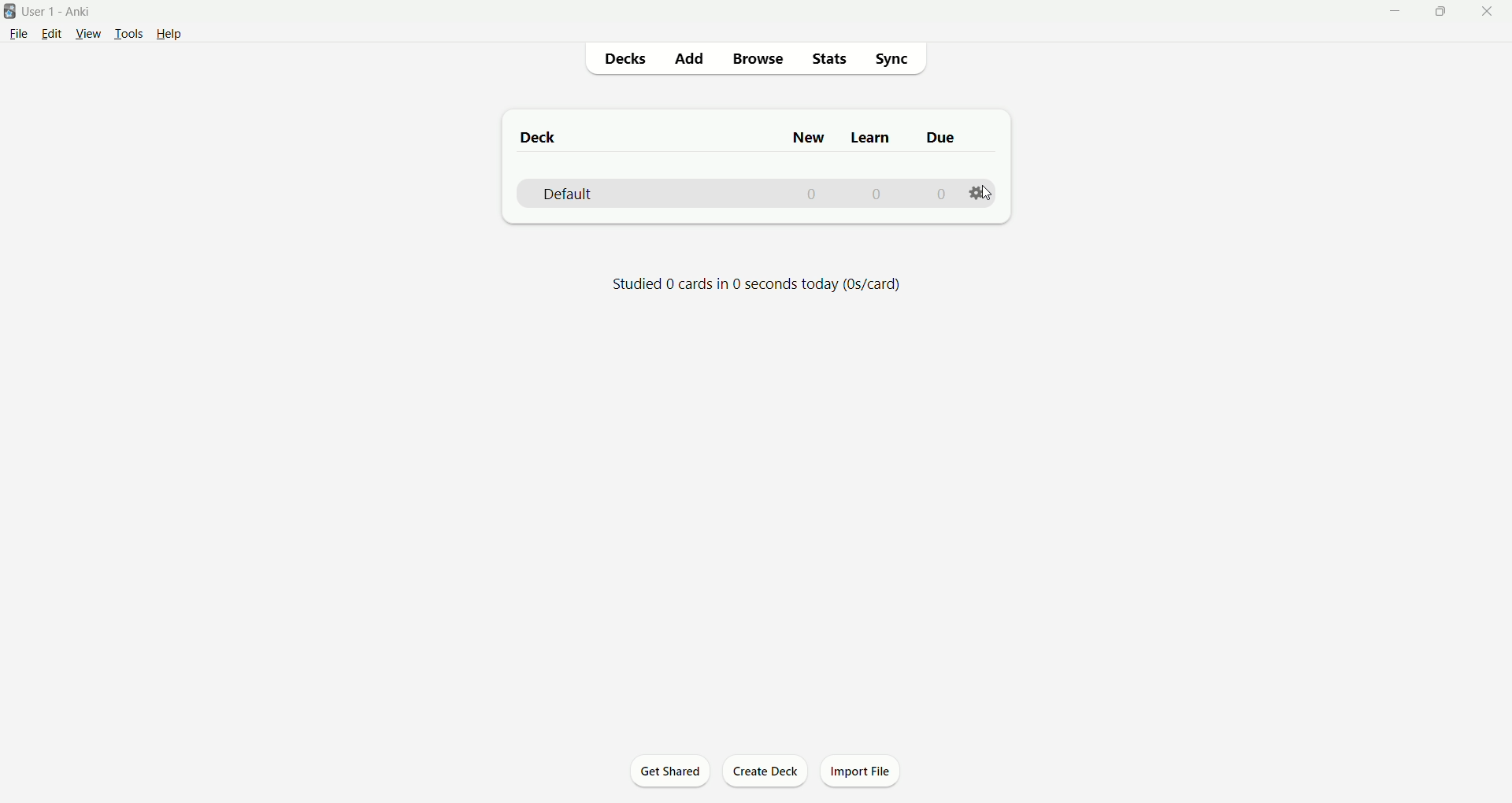  I want to click on import file, so click(862, 772).